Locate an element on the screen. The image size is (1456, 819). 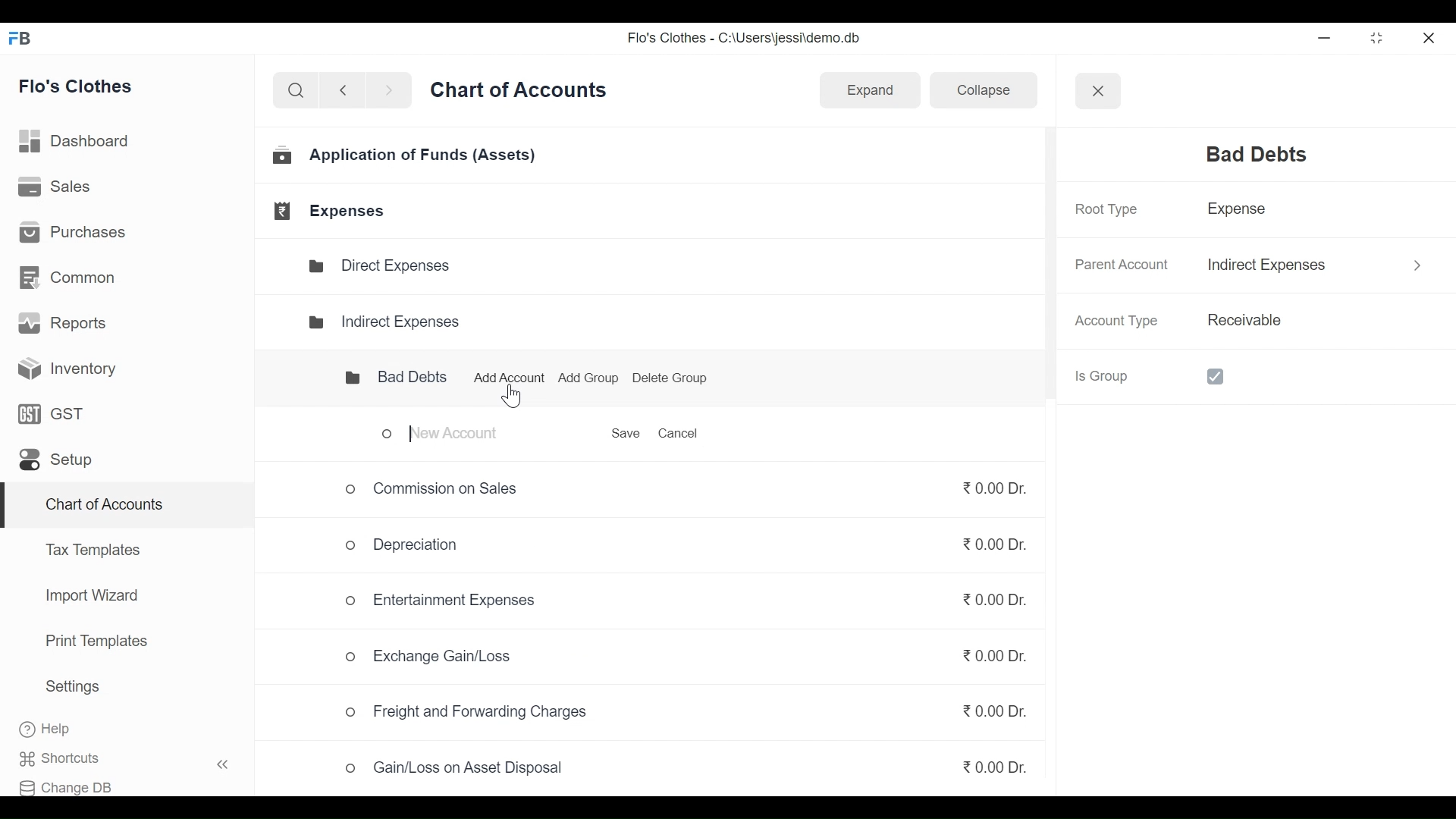
Close is located at coordinates (1097, 89).